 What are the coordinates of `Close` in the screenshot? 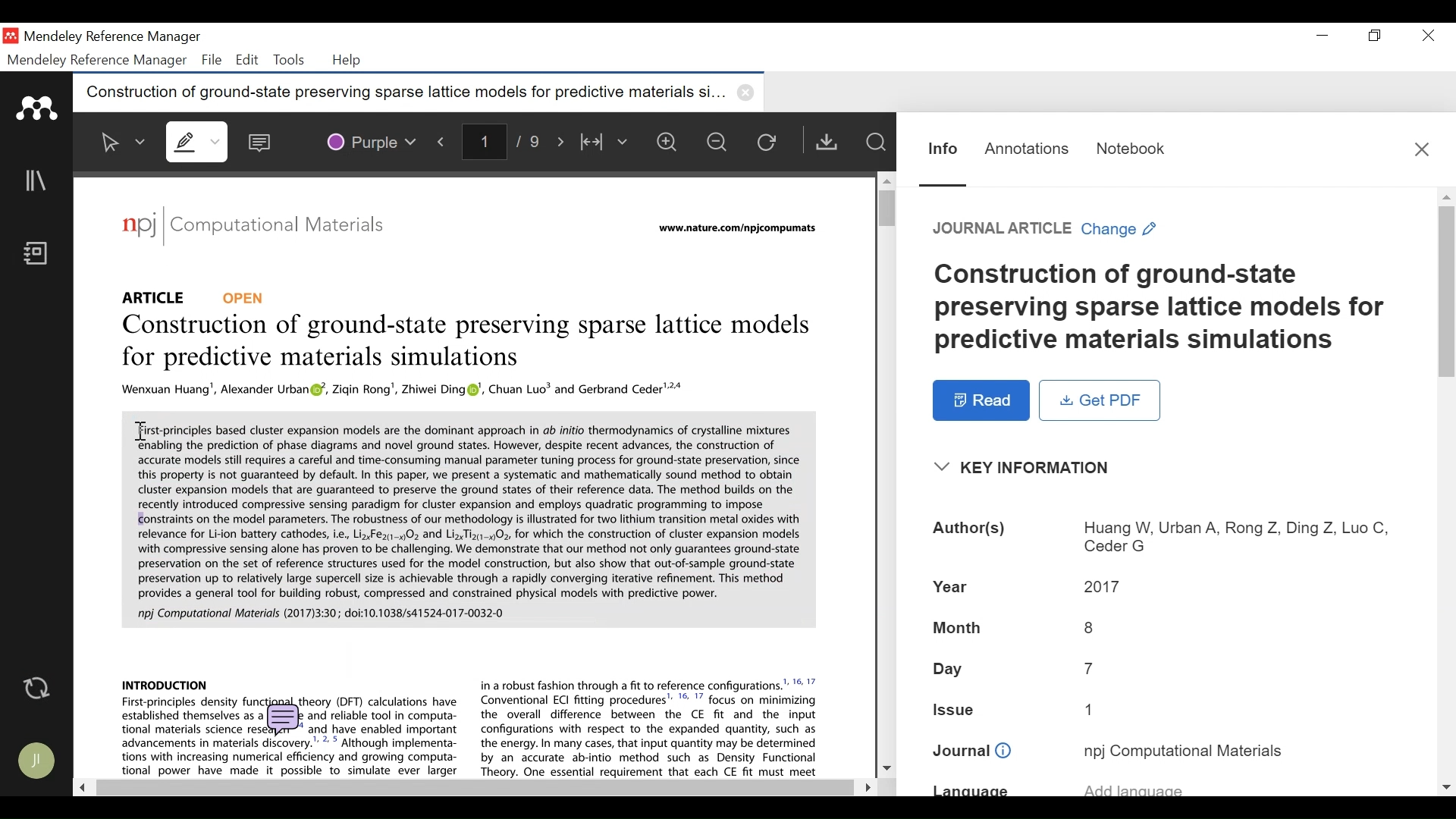 It's located at (1425, 36).